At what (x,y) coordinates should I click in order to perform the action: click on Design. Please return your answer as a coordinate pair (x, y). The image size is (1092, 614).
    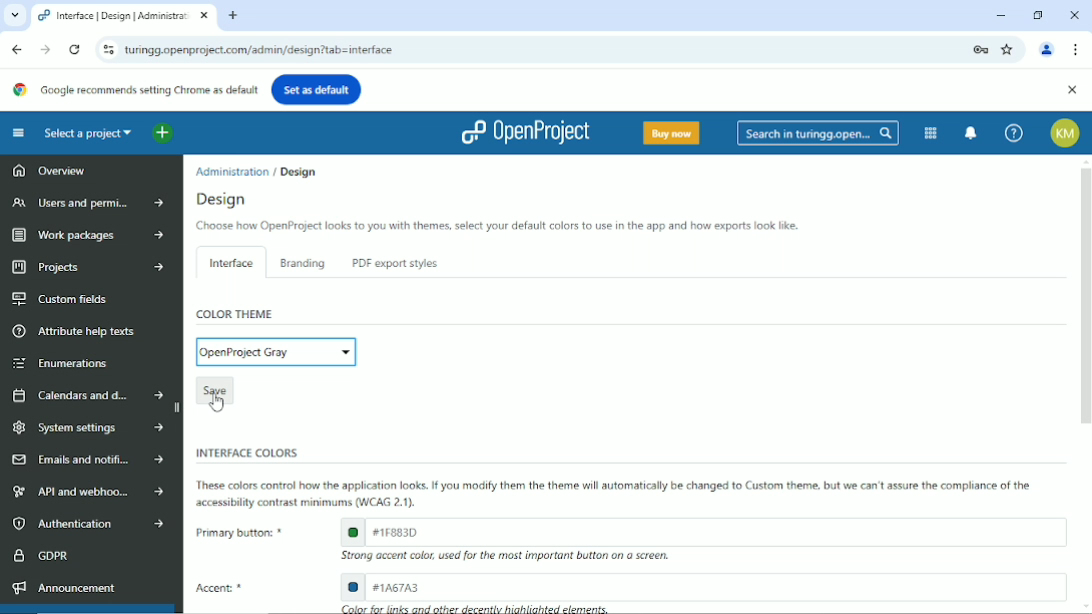
    Looking at the image, I should click on (297, 170).